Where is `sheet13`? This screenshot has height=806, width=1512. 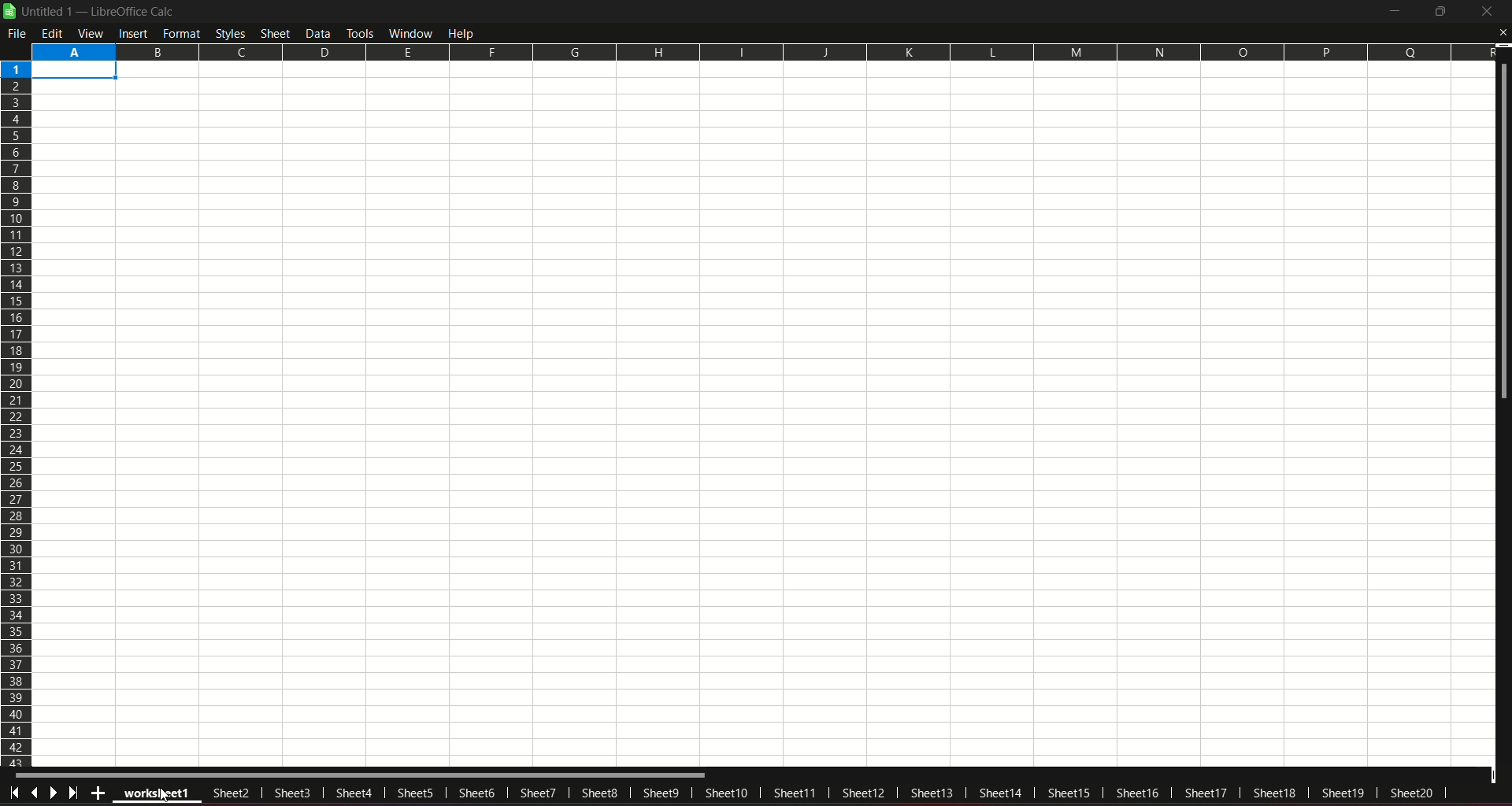 sheet13 is located at coordinates (932, 791).